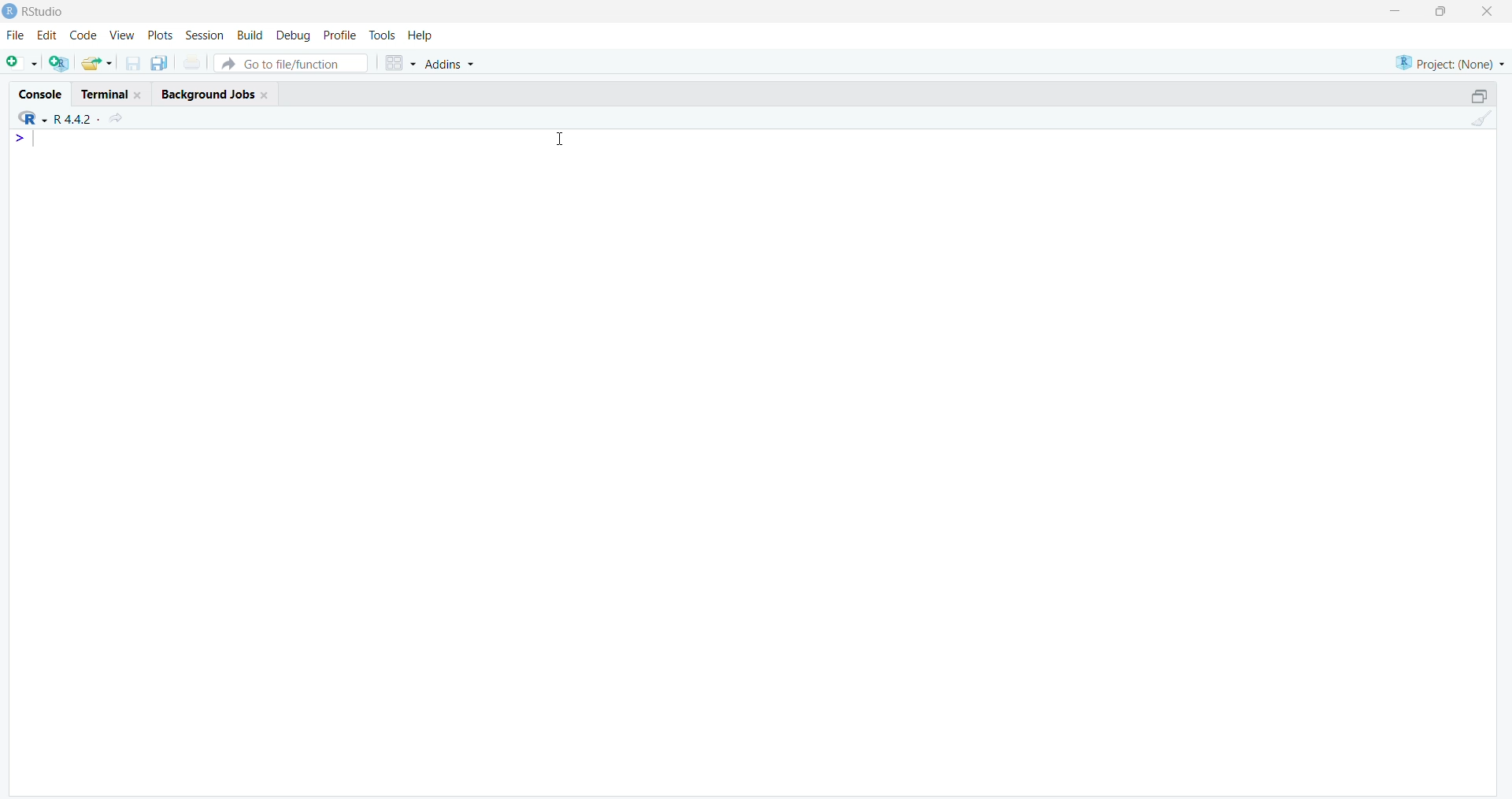 This screenshot has width=1512, height=799. Describe the element at coordinates (1447, 61) in the screenshot. I see `Project (Note)` at that location.